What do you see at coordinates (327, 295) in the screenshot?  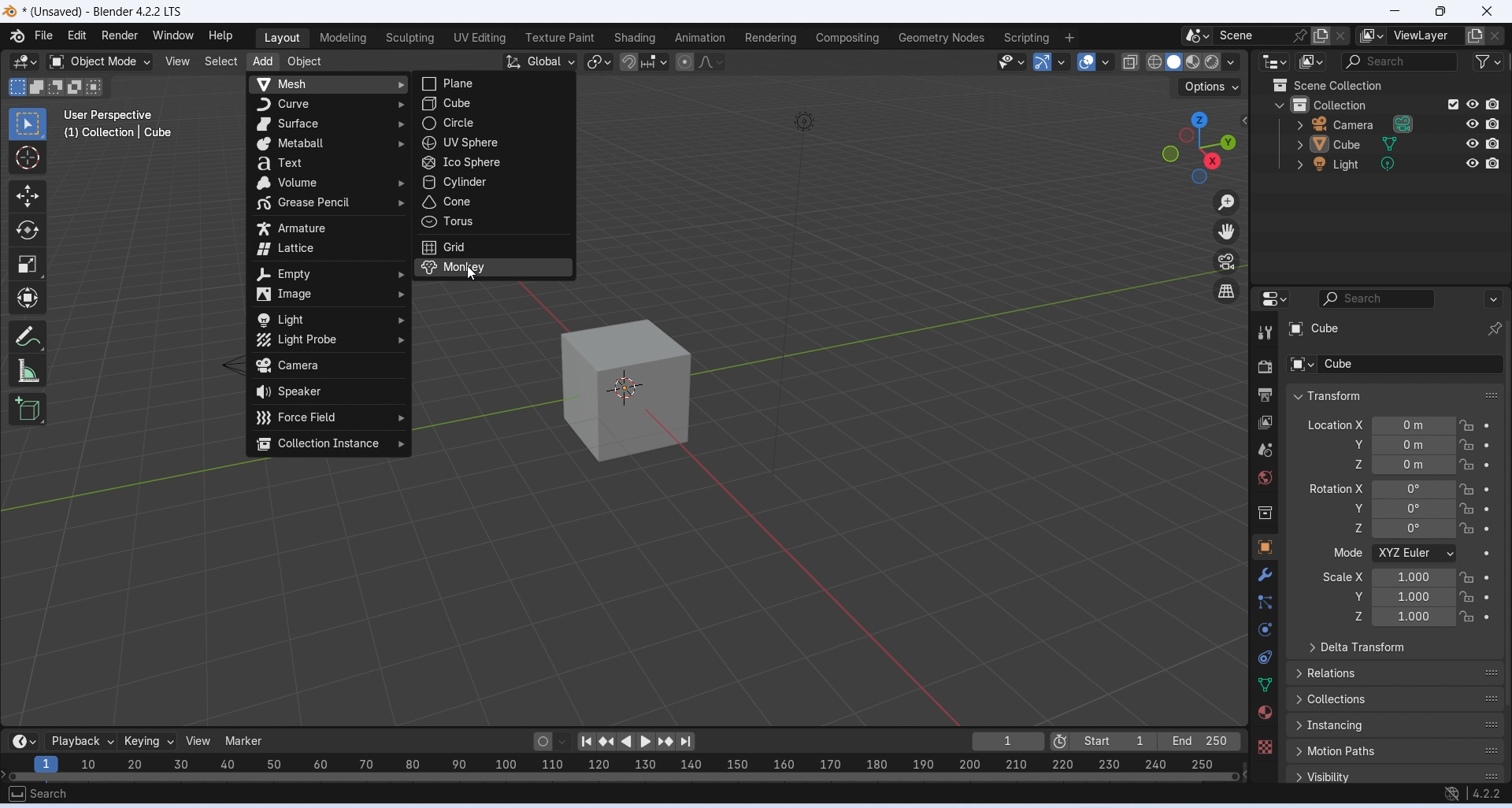 I see `image` at bounding box center [327, 295].